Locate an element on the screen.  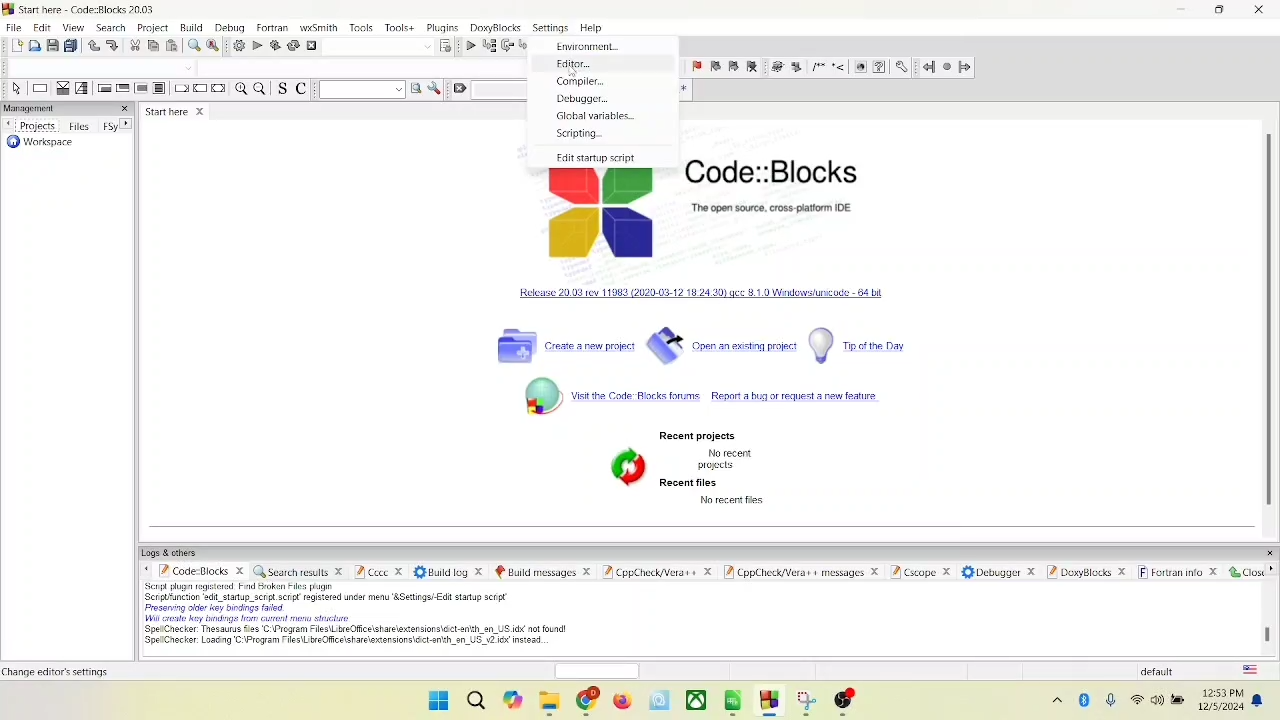
exit condition loop is located at coordinates (122, 88).